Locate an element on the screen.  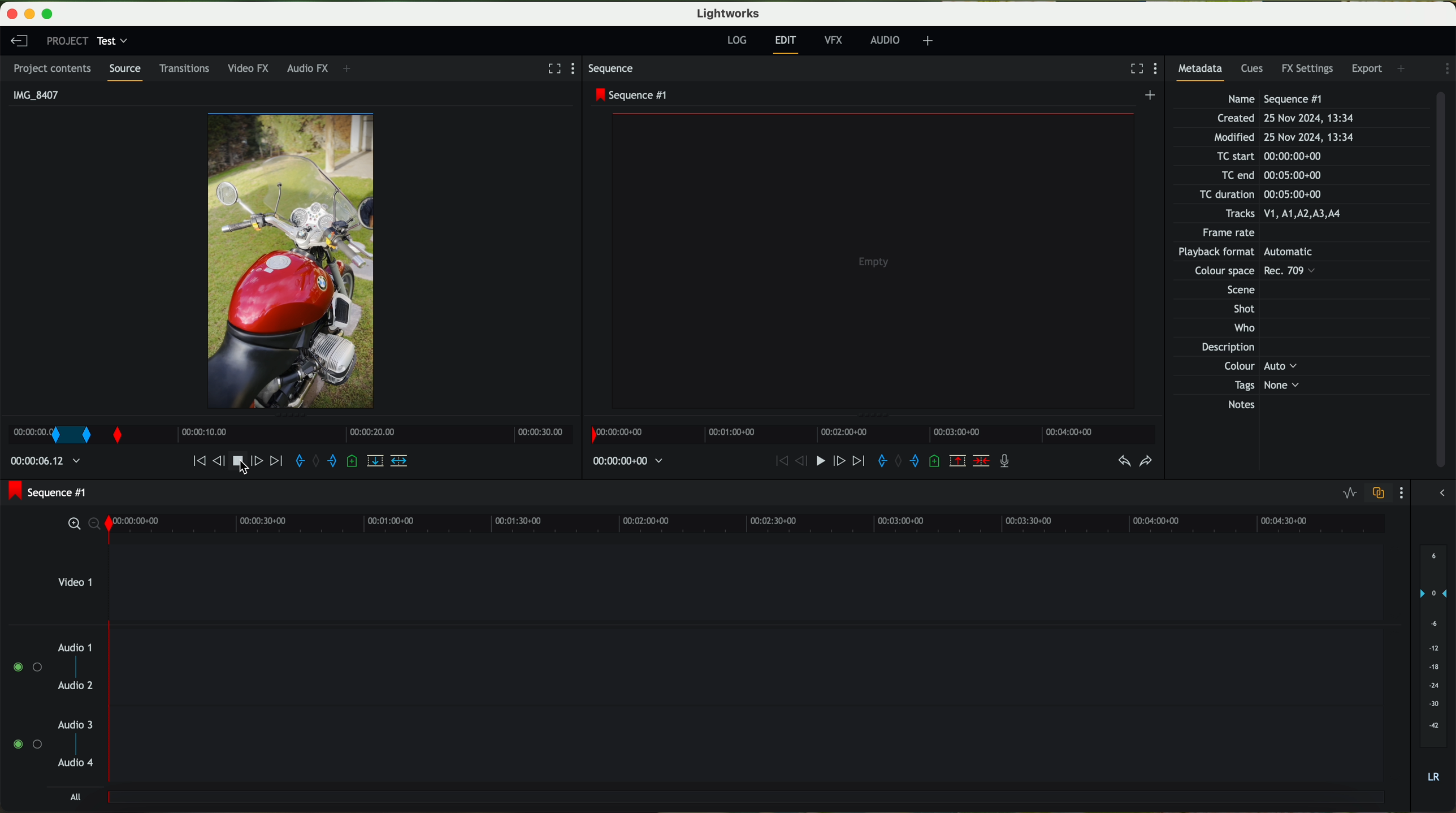
Name is located at coordinates (1278, 98).